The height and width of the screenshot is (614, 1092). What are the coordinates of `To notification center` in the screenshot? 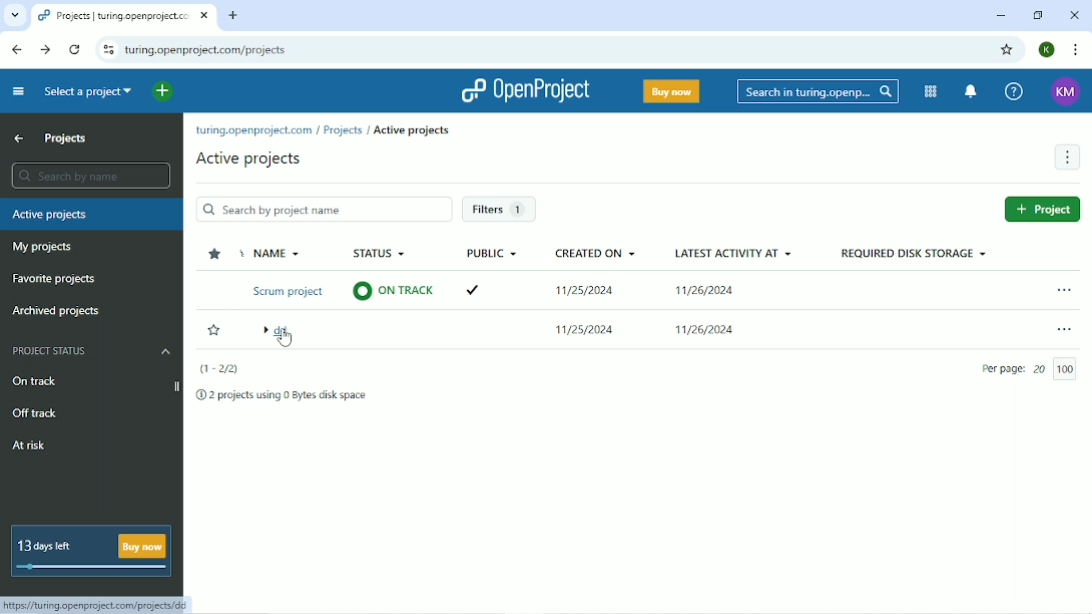 It's located at (971, 92).